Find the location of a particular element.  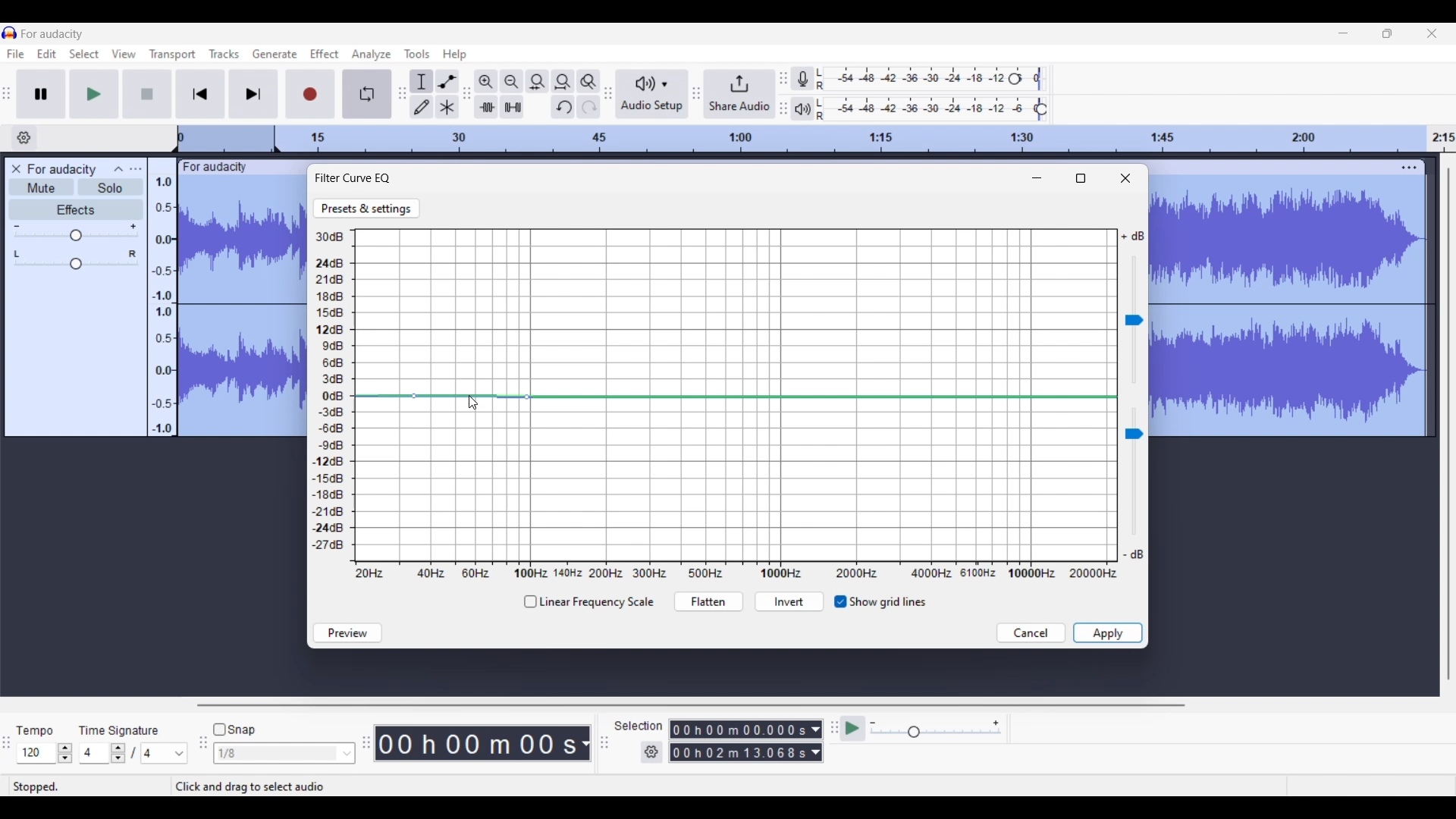

Zoom in is located at coordinates (486, 81).